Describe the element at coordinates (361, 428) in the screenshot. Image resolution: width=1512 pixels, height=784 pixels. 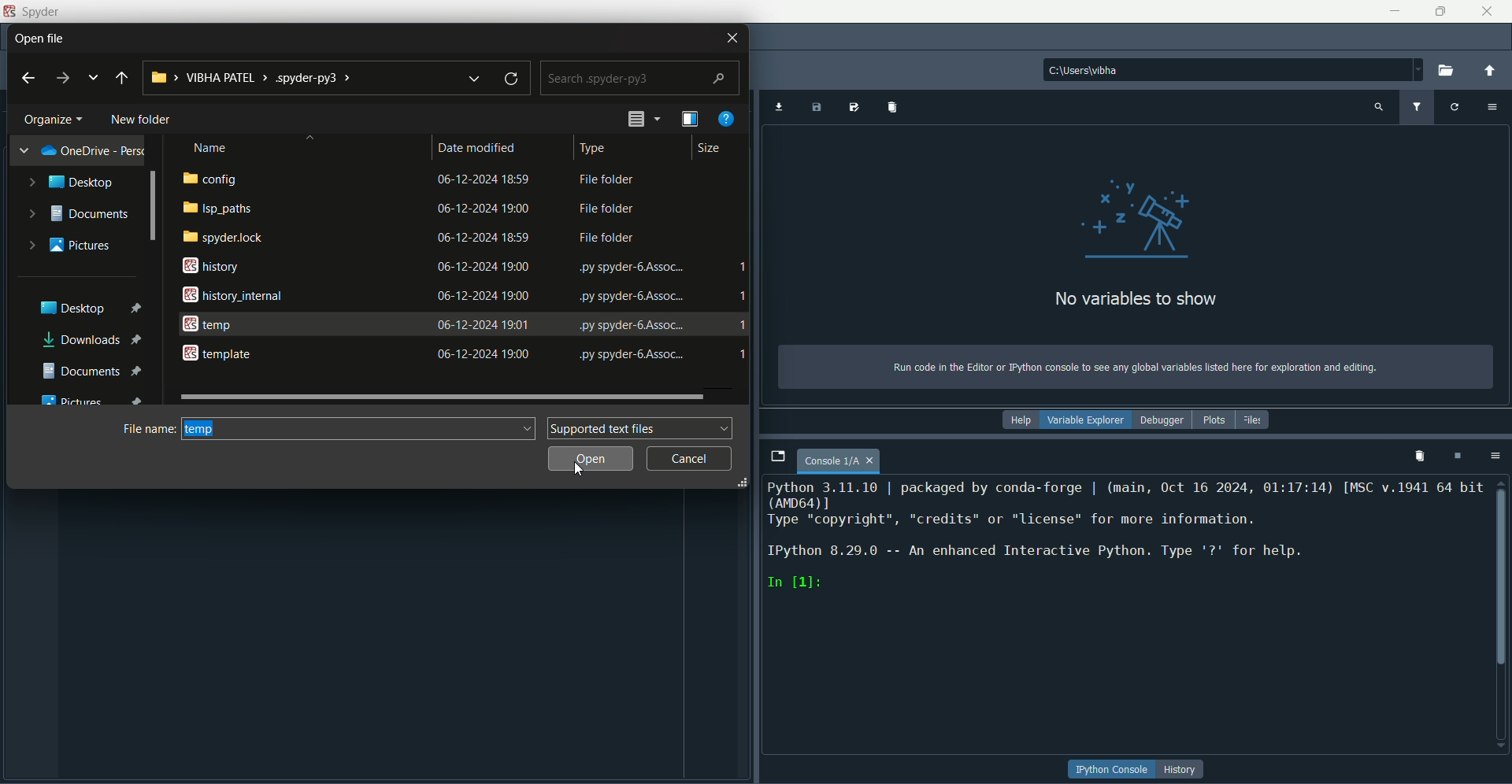
I see `highlight` at that location.